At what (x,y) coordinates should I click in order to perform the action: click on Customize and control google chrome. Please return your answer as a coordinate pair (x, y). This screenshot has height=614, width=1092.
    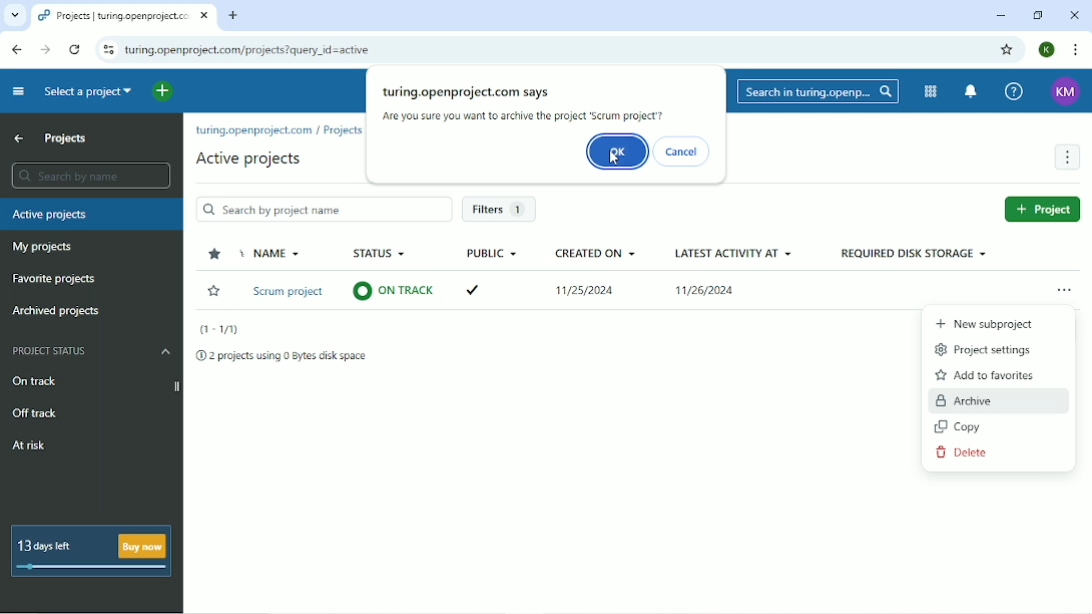
    Looking at the image, I should click on (1072, 50).